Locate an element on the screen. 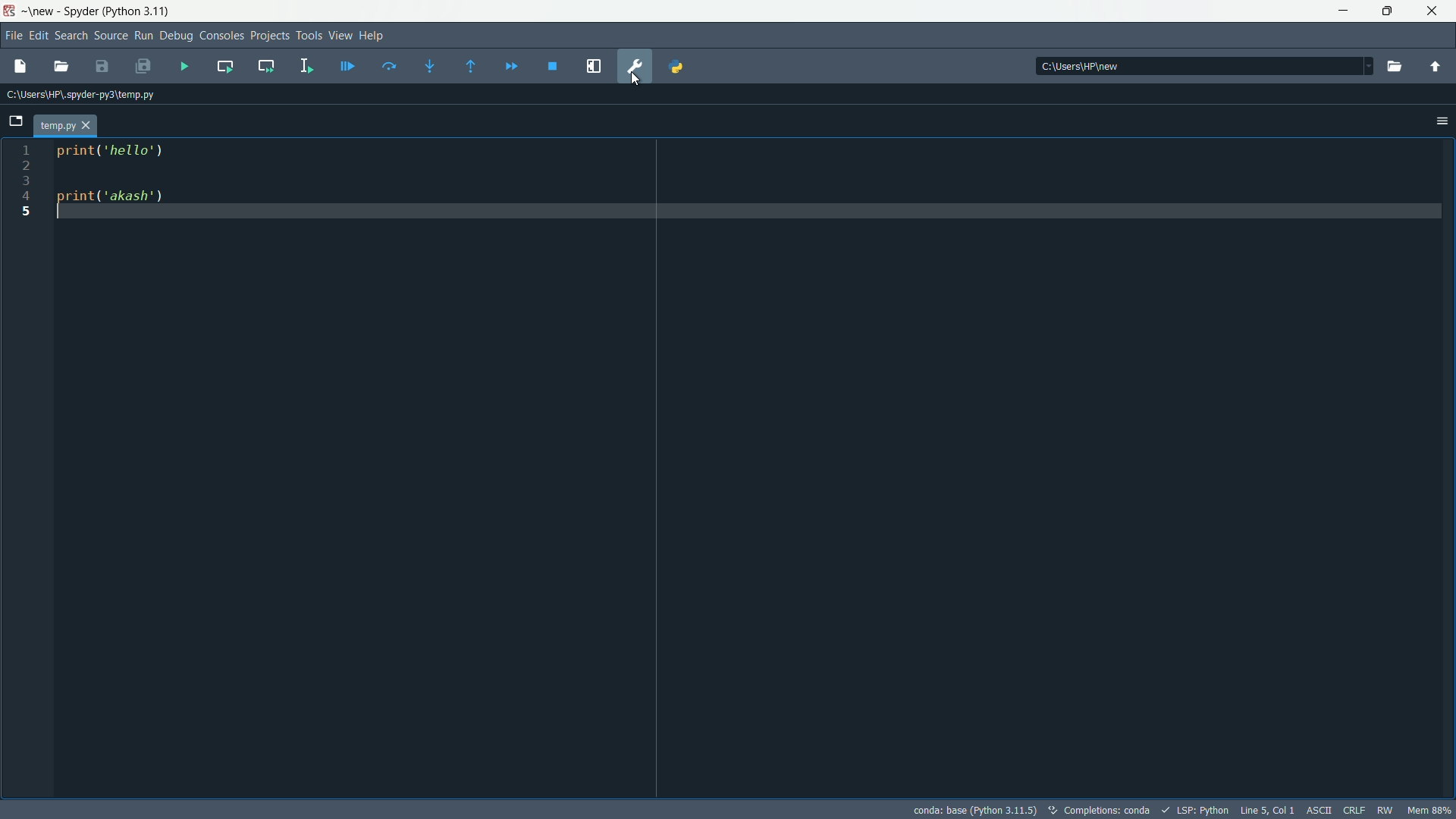 The width and height of the screenshot is (1456, 819). continue execution untill next break point is located at coordinates (509, 65).